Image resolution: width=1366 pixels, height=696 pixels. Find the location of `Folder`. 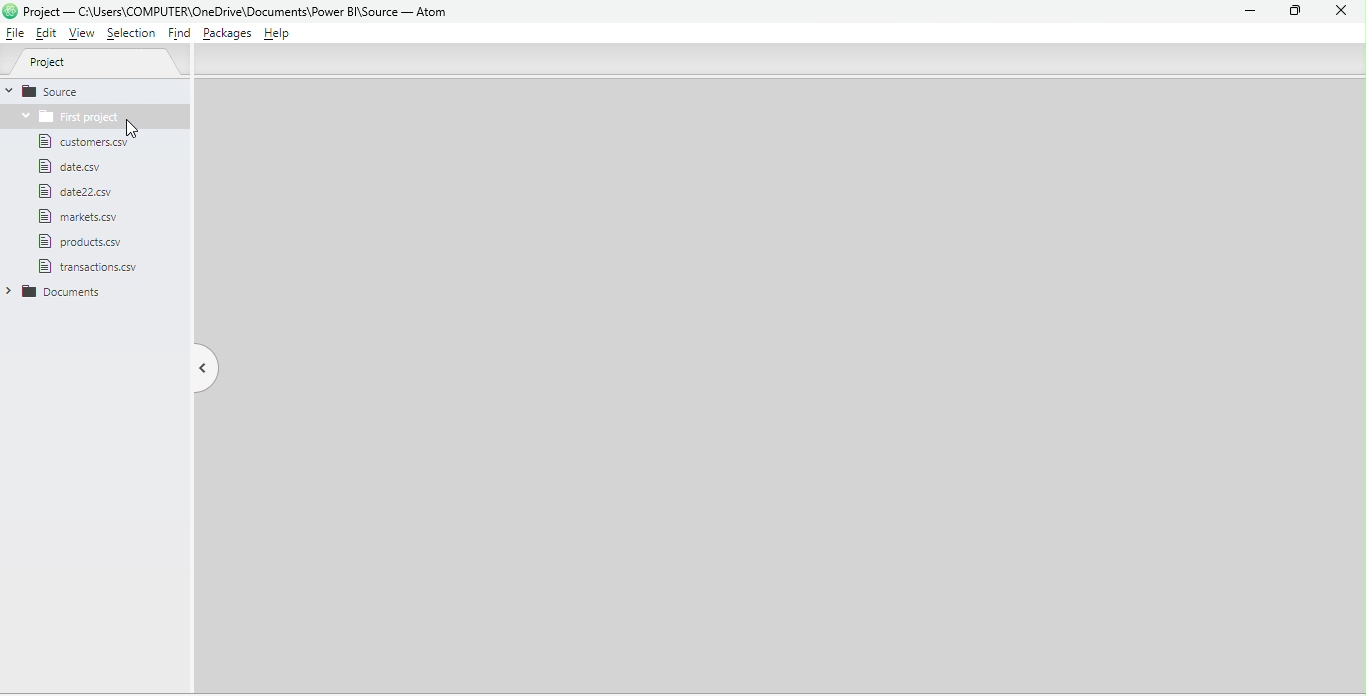

Folder is located at coordinates (67, 116).